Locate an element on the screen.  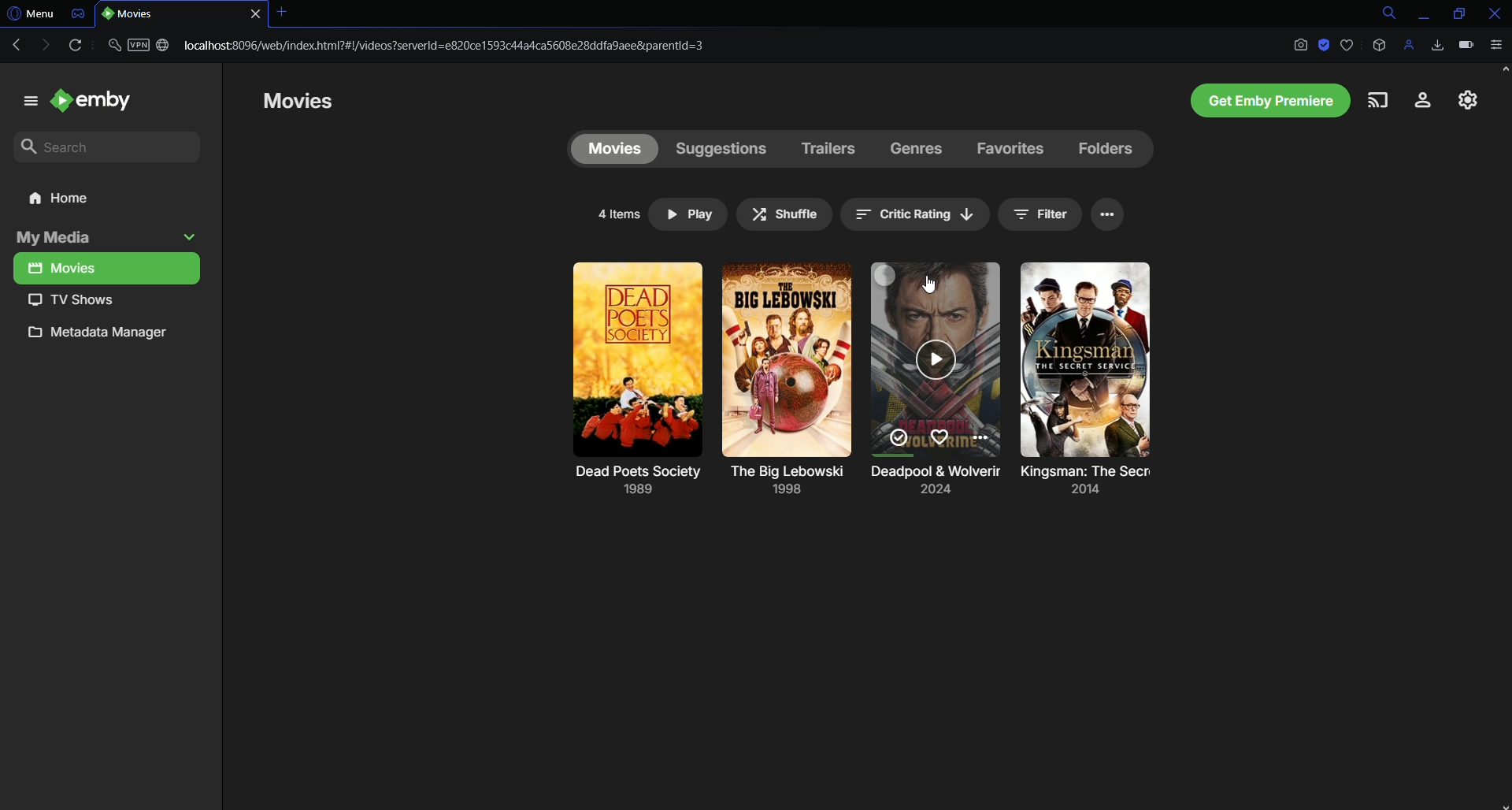
Scroll is located at coordinates (1503, 269).